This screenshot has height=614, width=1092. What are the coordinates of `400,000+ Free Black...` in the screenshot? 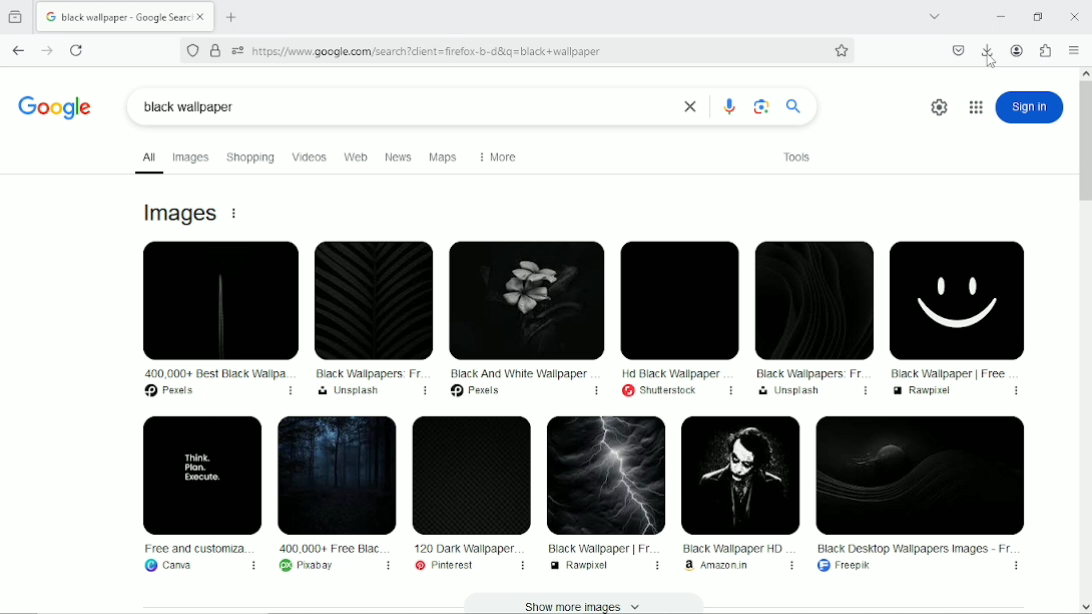 It's located at (333, 496).